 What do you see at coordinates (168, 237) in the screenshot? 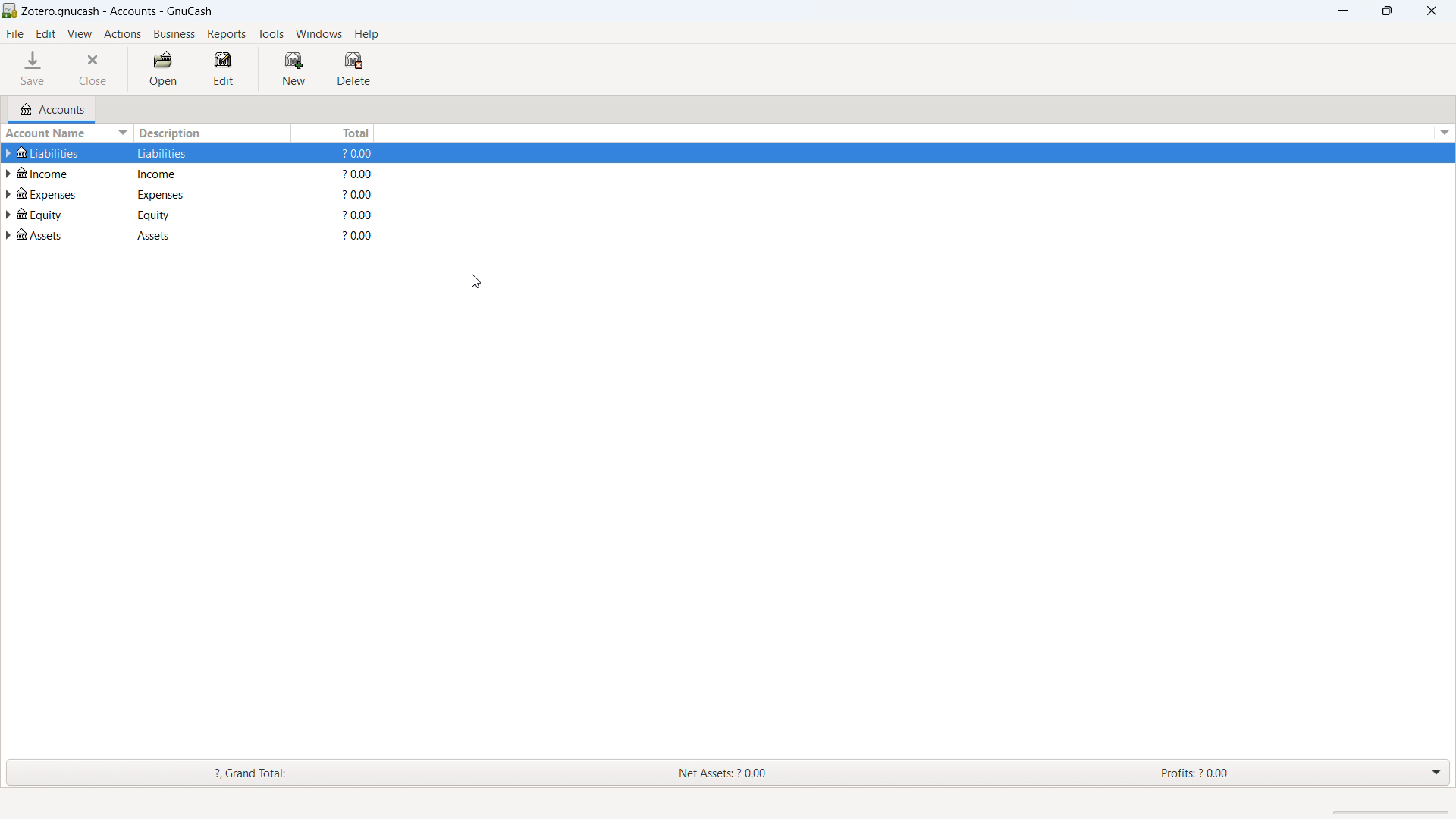
I see `assets` at bounding box center [168, 237].